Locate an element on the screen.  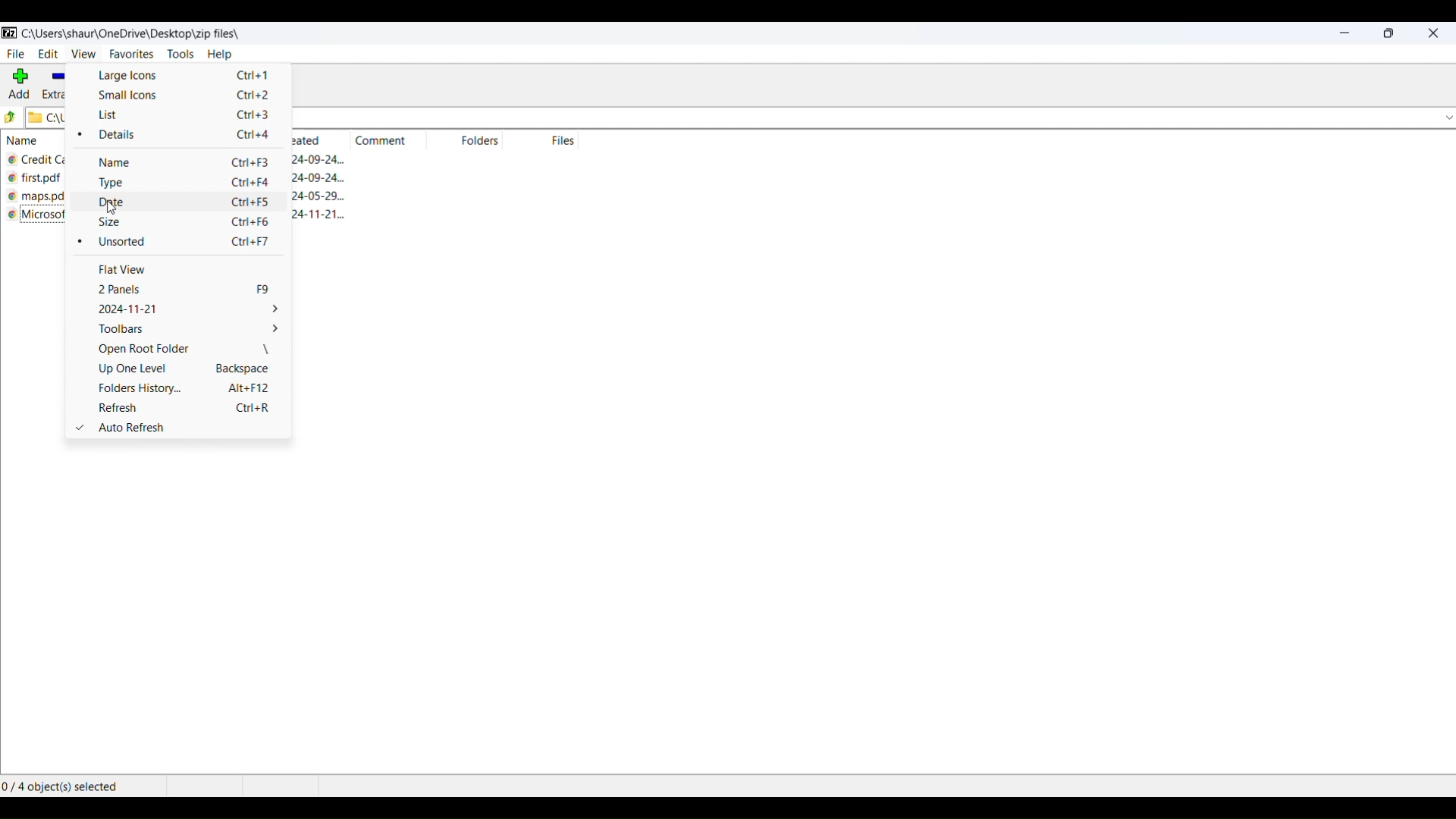
created is located at coordinates (308, 141).